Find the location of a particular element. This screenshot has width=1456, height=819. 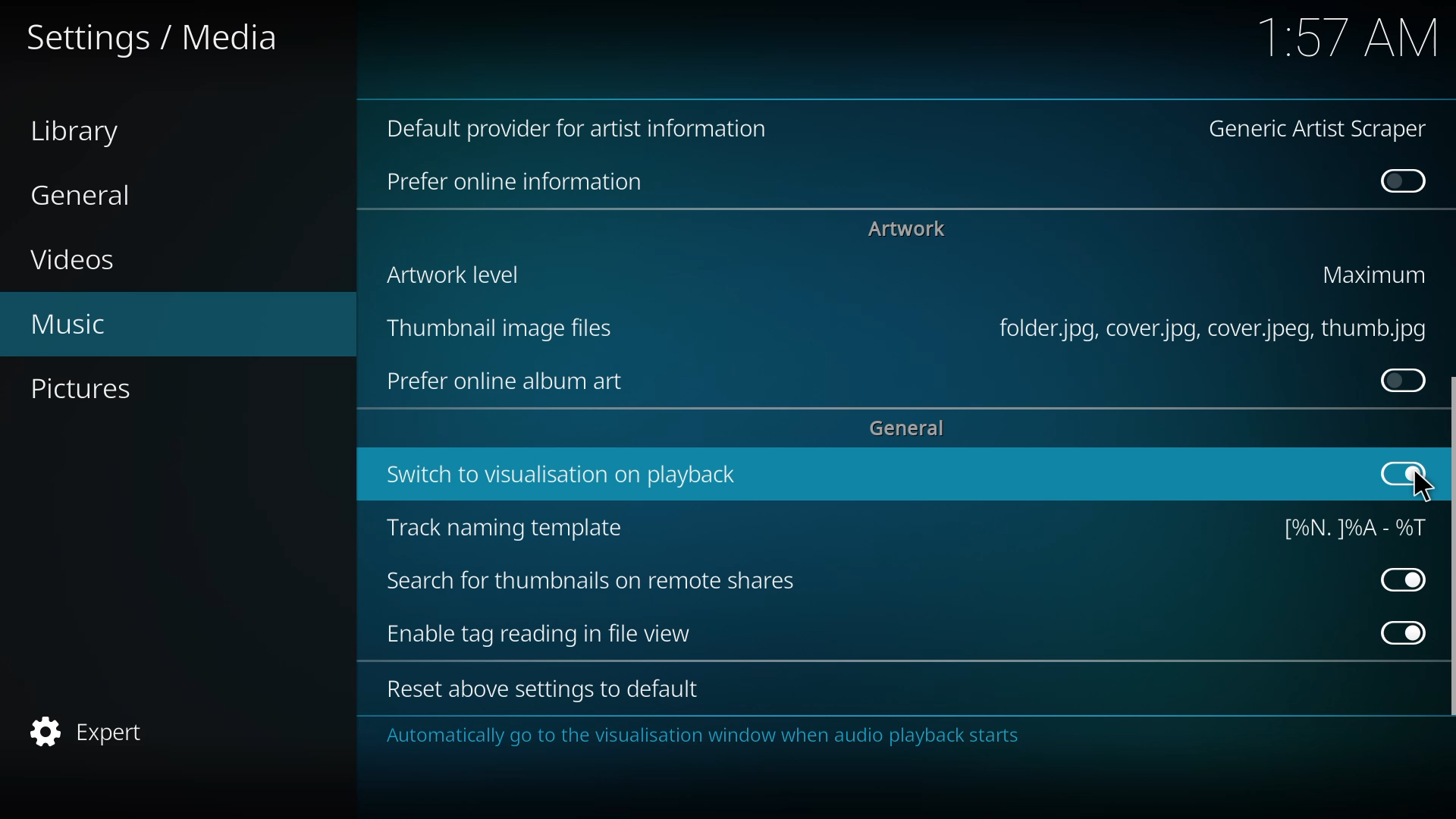

artwork is located at coordinates (905, 229).